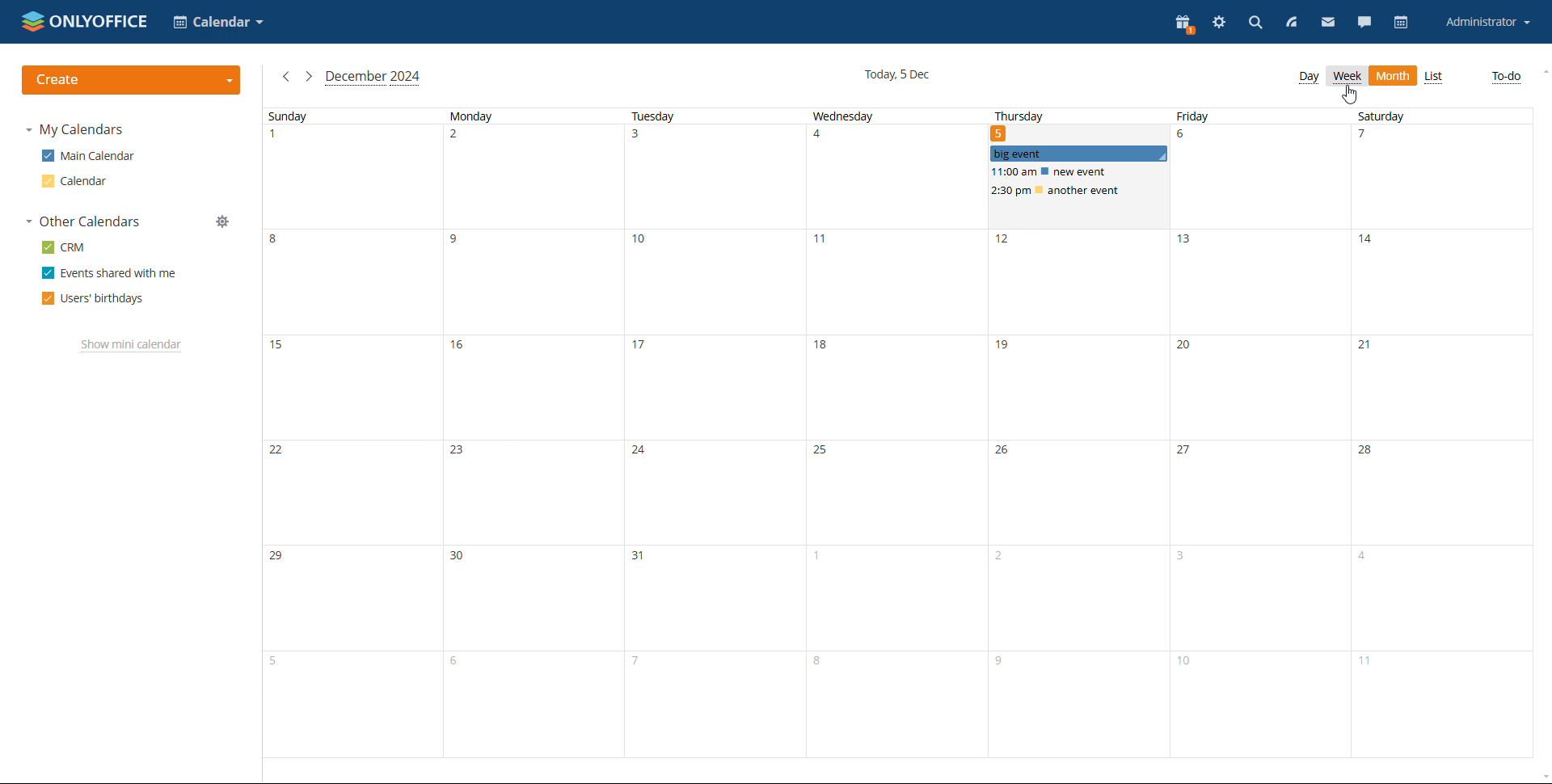 The image size is (1552, 784). Describe the element at coordinates (1308, 78) in the screenshot. I see `day view` at that location.